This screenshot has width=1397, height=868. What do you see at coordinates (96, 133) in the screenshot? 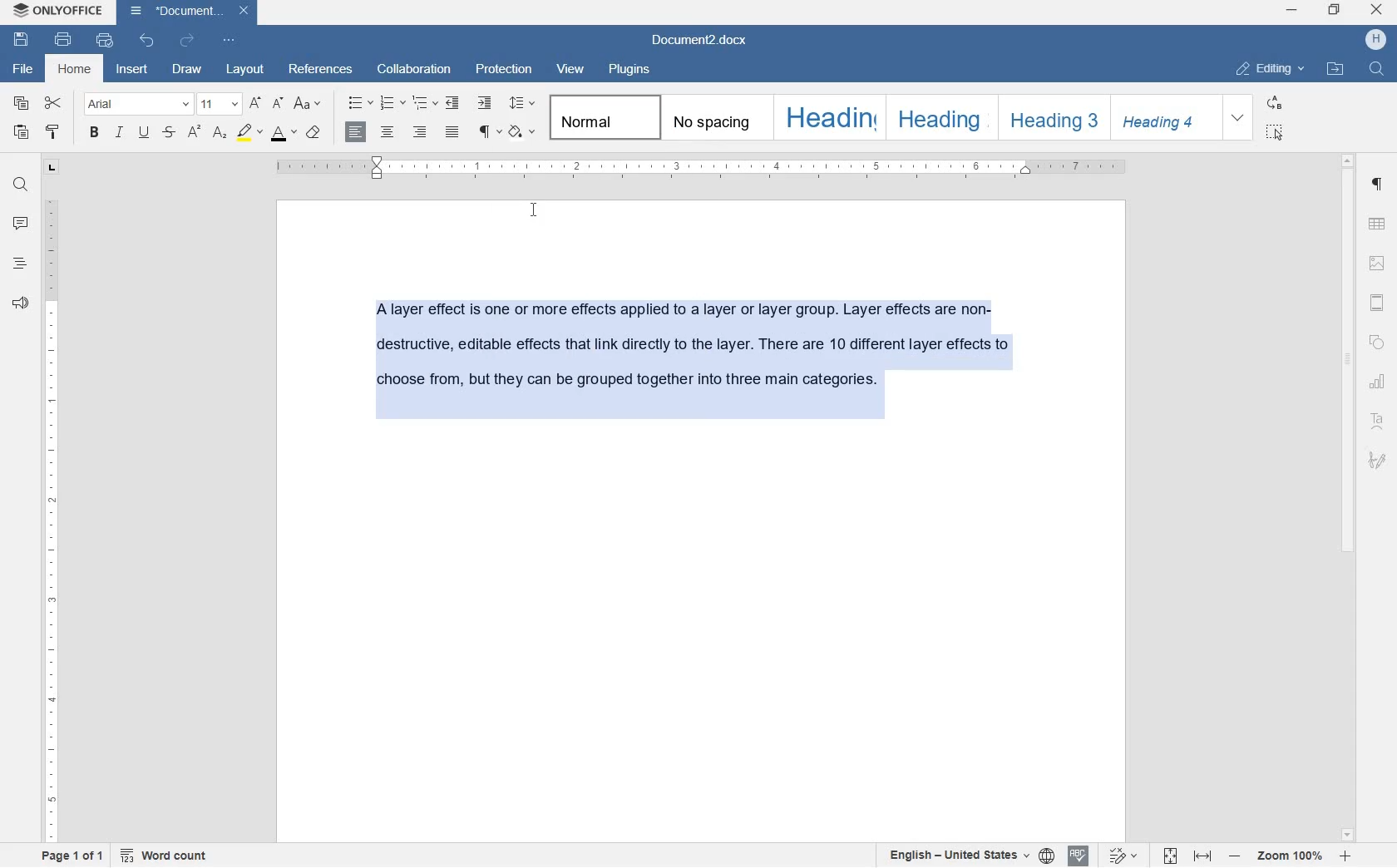
I see `bold` at bounding box center [96, 133].